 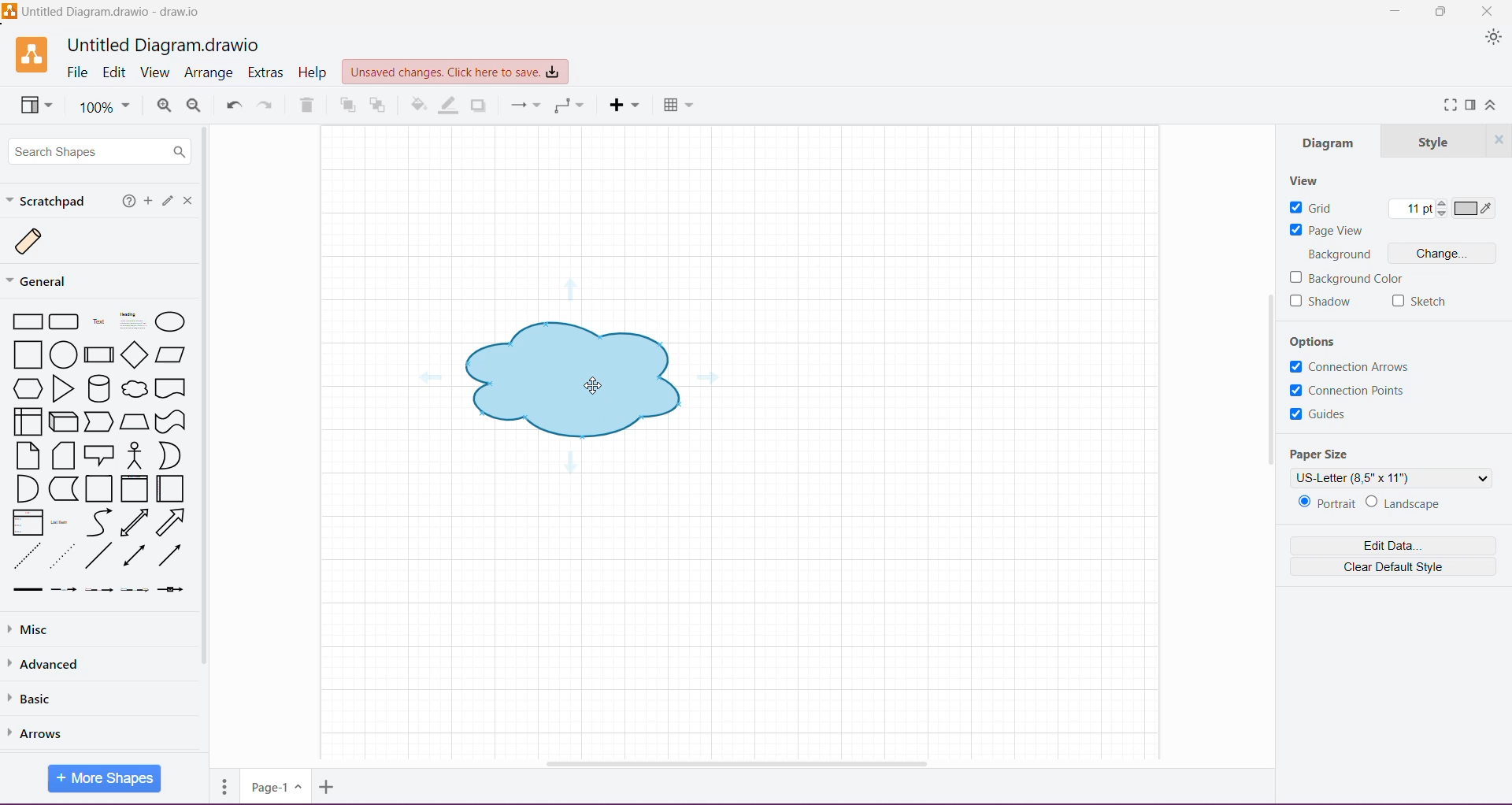 I want to click on General, so click(x=46, y=280).